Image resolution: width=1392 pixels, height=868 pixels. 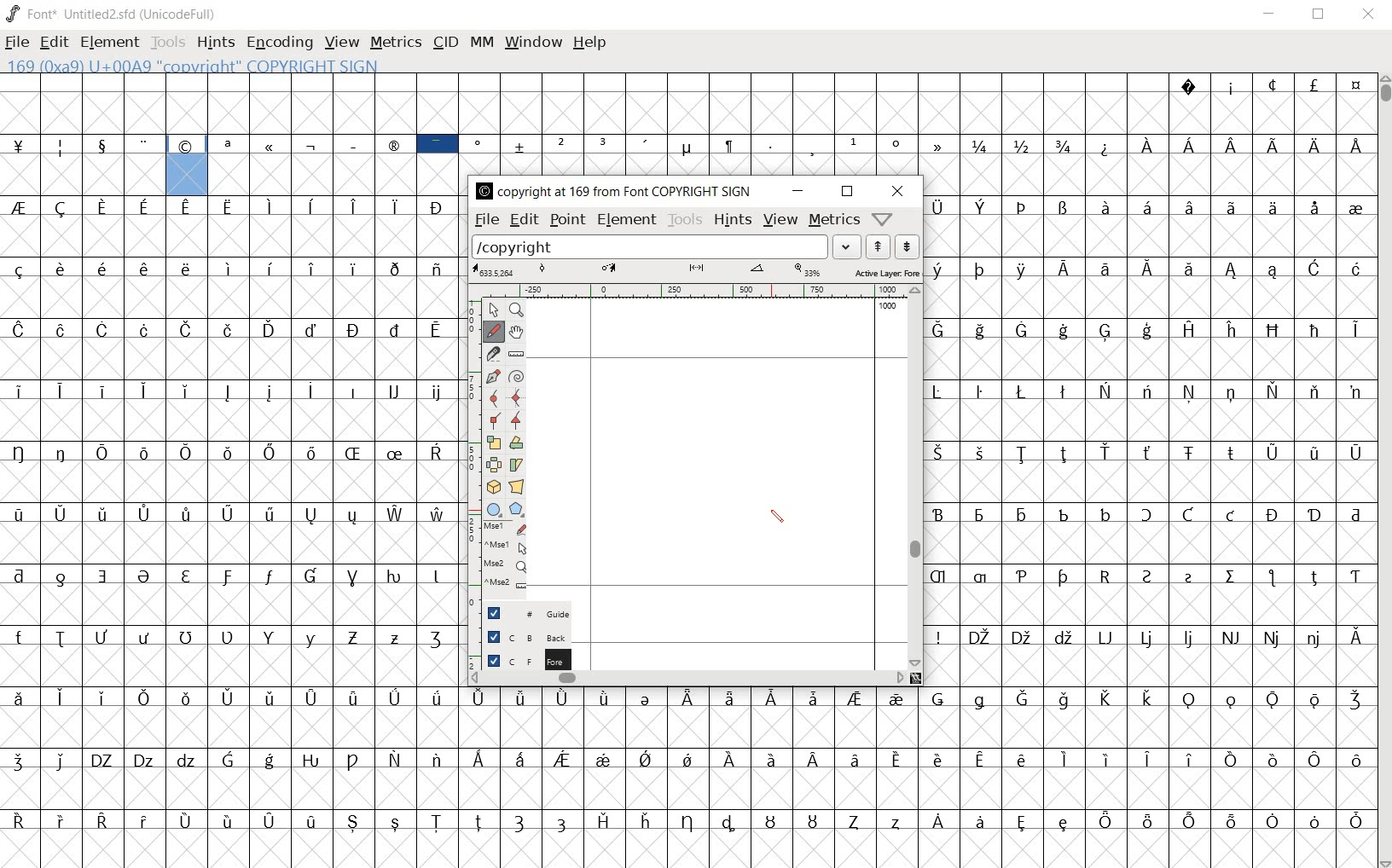 I want to click on element, so click(x=109, y=42).